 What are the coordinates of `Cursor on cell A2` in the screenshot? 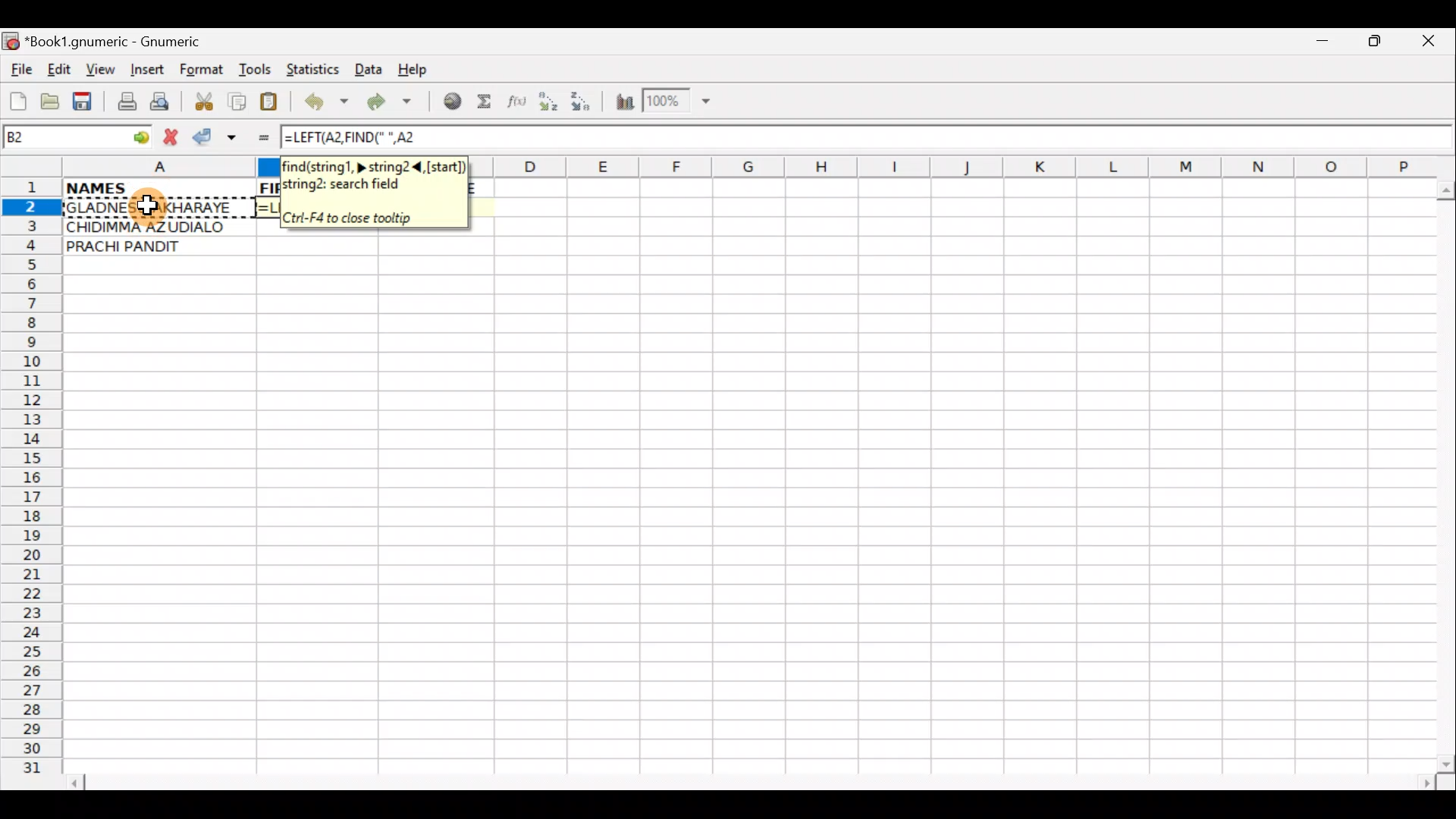 It's located at (147, 208).